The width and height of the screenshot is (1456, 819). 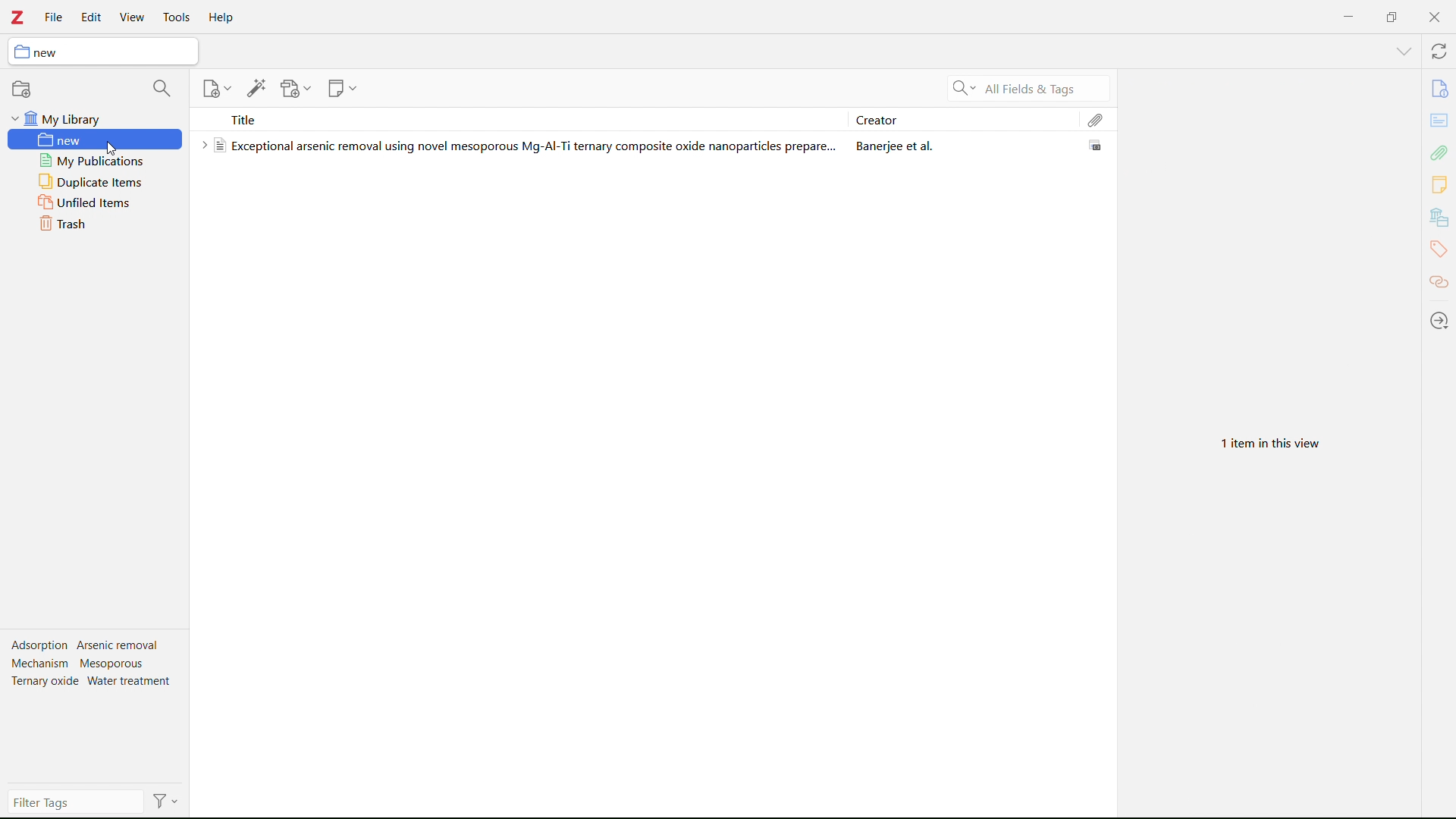 What do you see at coordinates (1439, 283) in the screenshot?
I see `related` at bounding box center [1439, 283].